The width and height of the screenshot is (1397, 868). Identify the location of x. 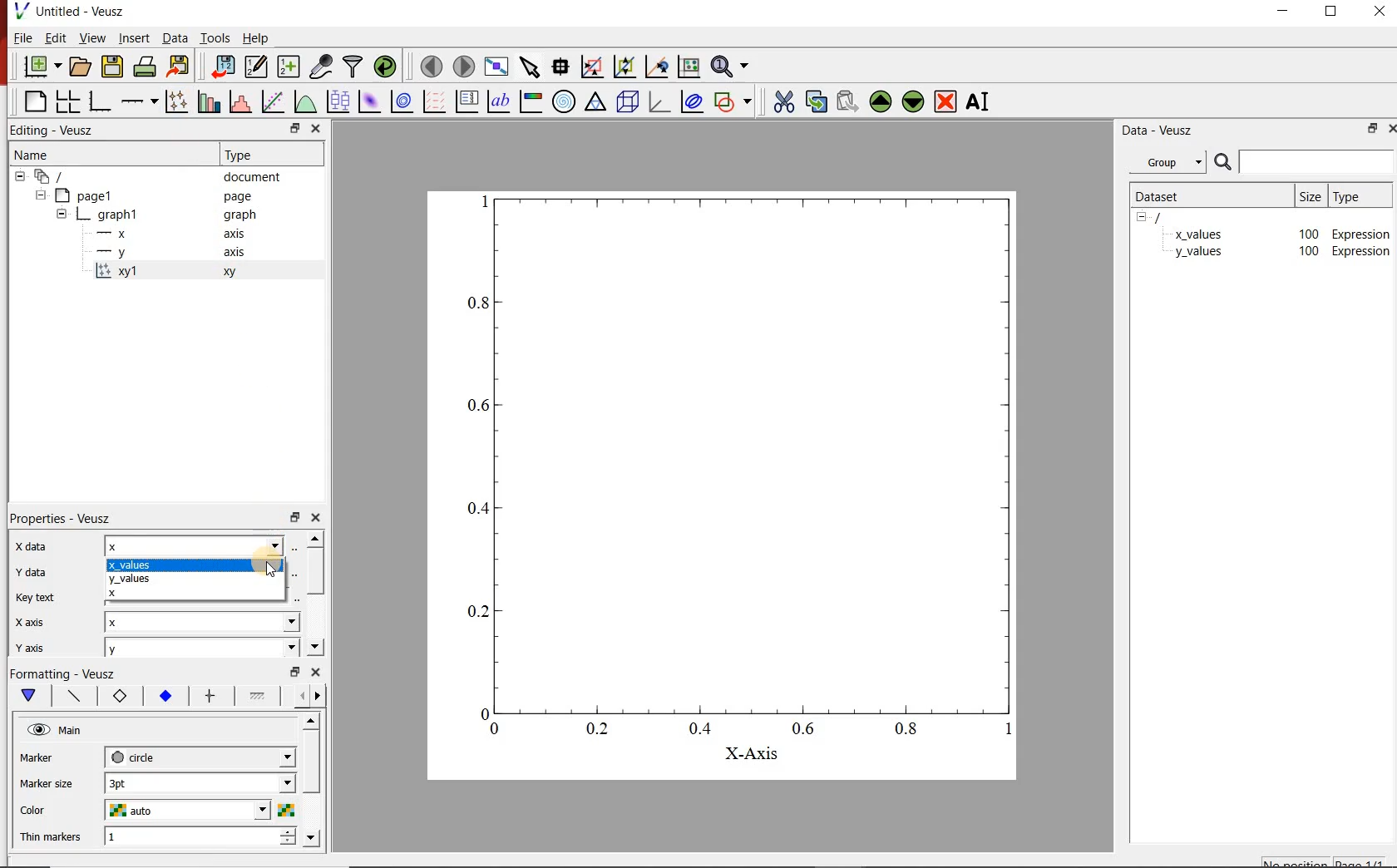
(195, 545).